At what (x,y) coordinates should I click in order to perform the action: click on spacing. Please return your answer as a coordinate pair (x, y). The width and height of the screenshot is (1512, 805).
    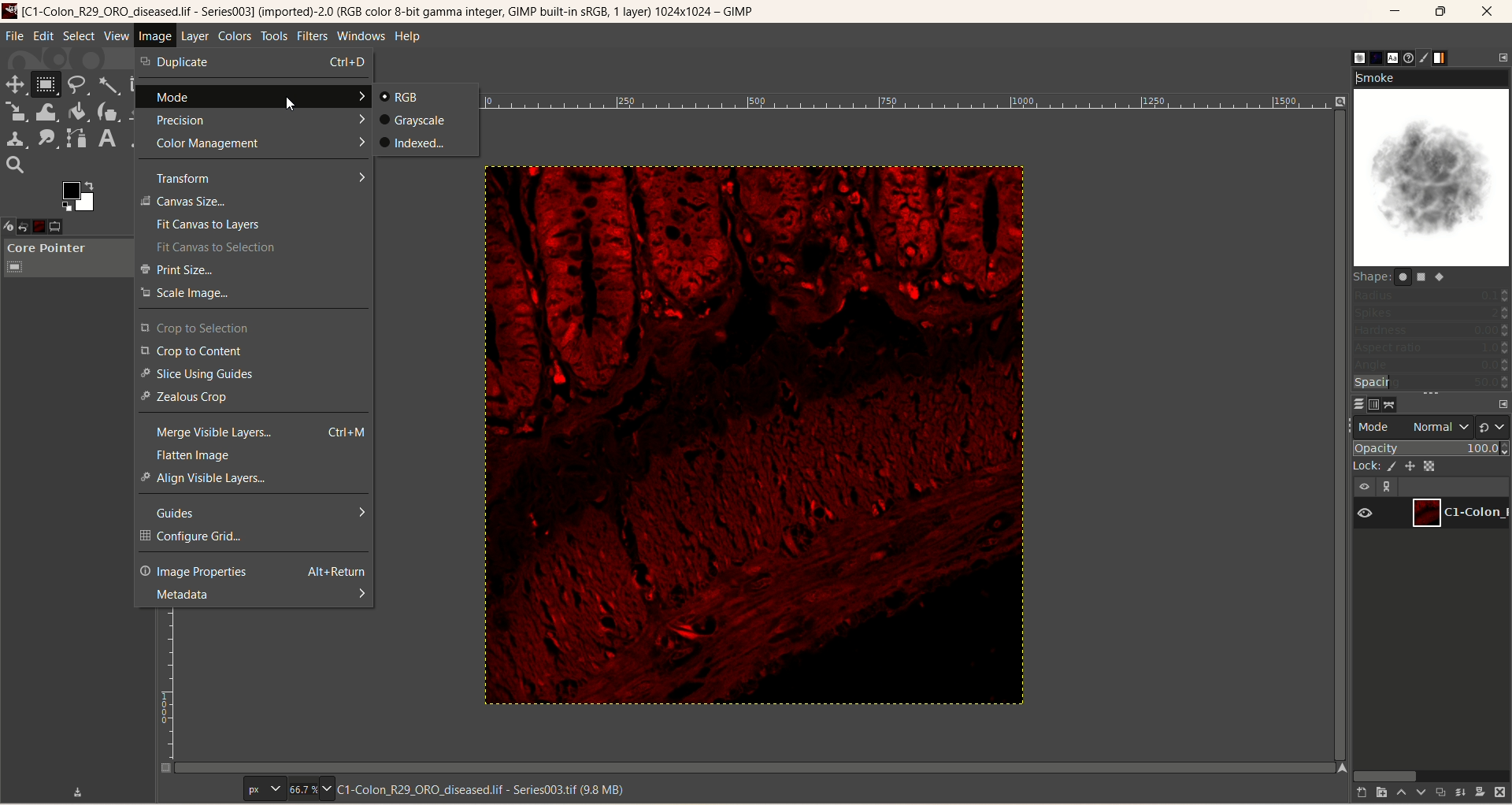
    Looking at the image, I should click on (1431, 383).